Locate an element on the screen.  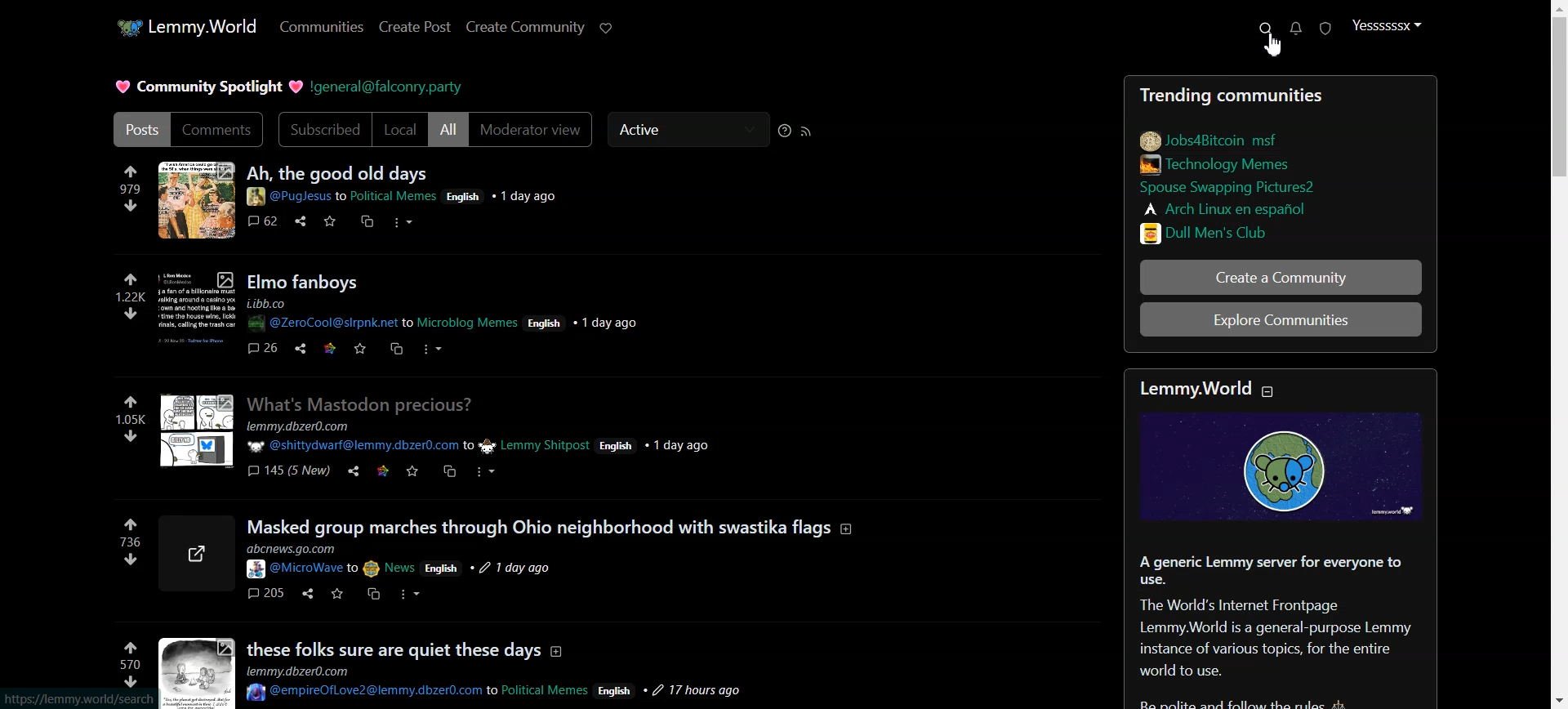
upvote is located at coordinates (133, 646).